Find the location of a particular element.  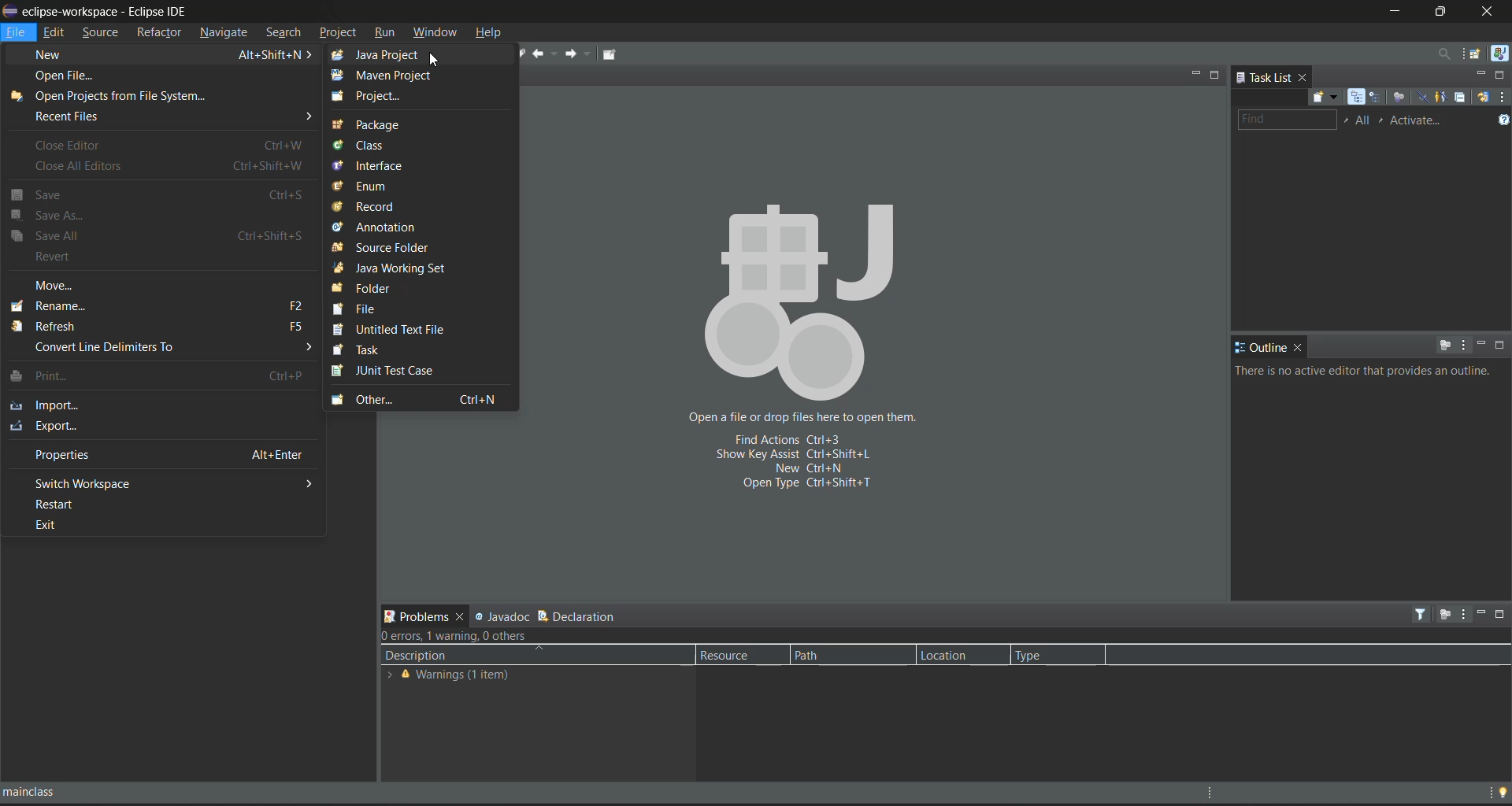

view menu is located at coordinates (1462, 344).